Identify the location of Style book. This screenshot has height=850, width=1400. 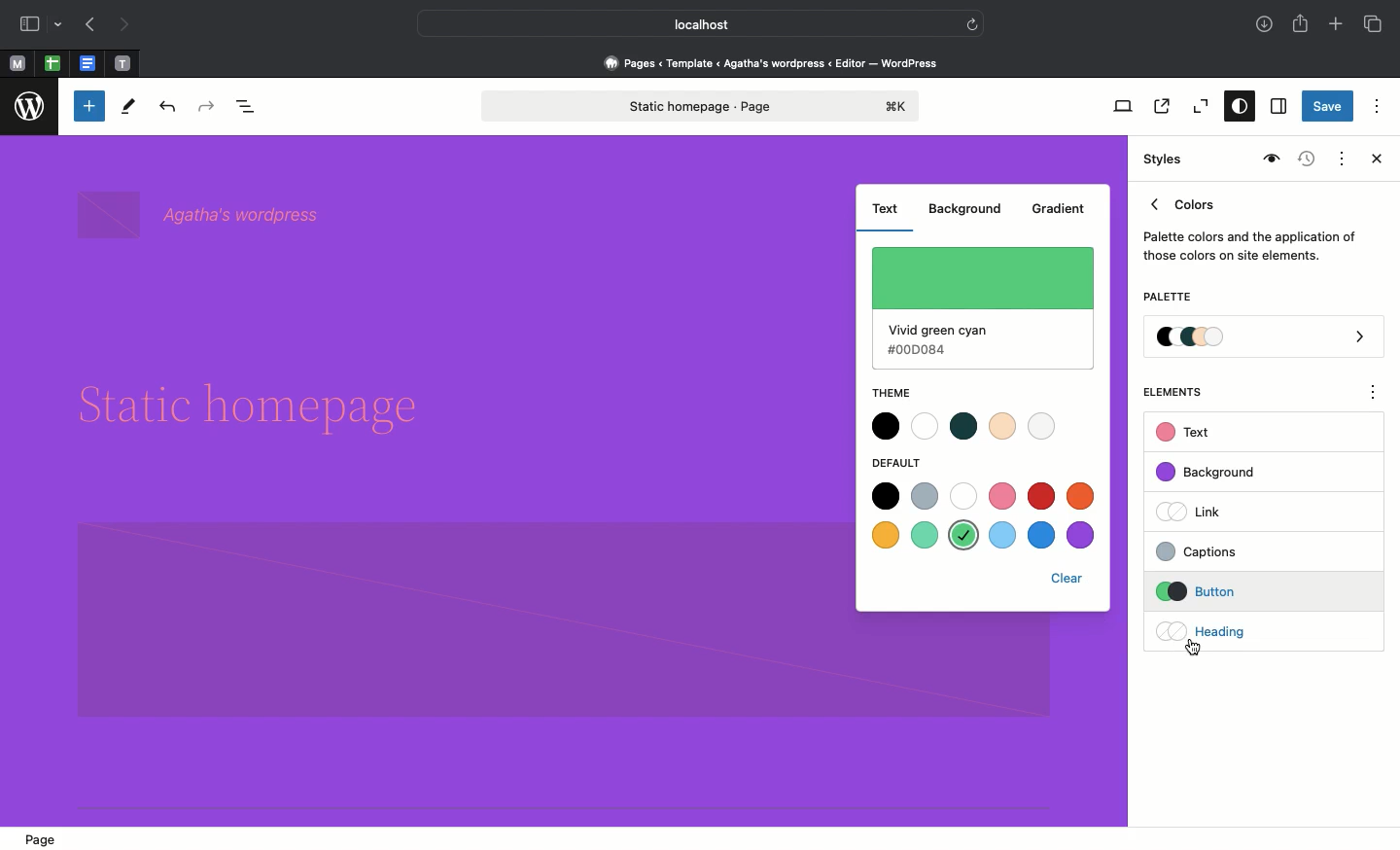
(1269, 159).